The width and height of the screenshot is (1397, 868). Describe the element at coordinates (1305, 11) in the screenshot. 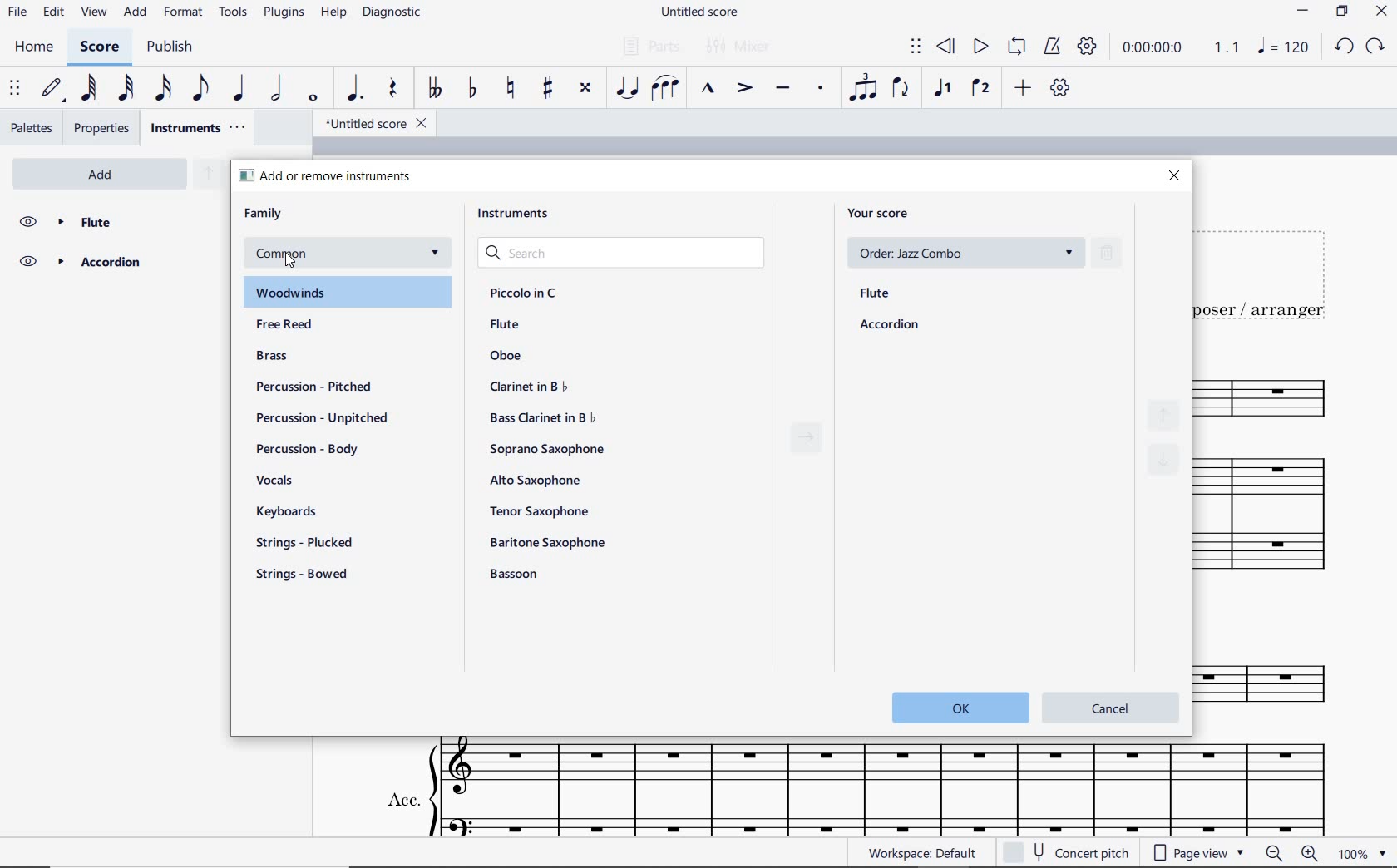

I see `MINIMIZE` at that location.